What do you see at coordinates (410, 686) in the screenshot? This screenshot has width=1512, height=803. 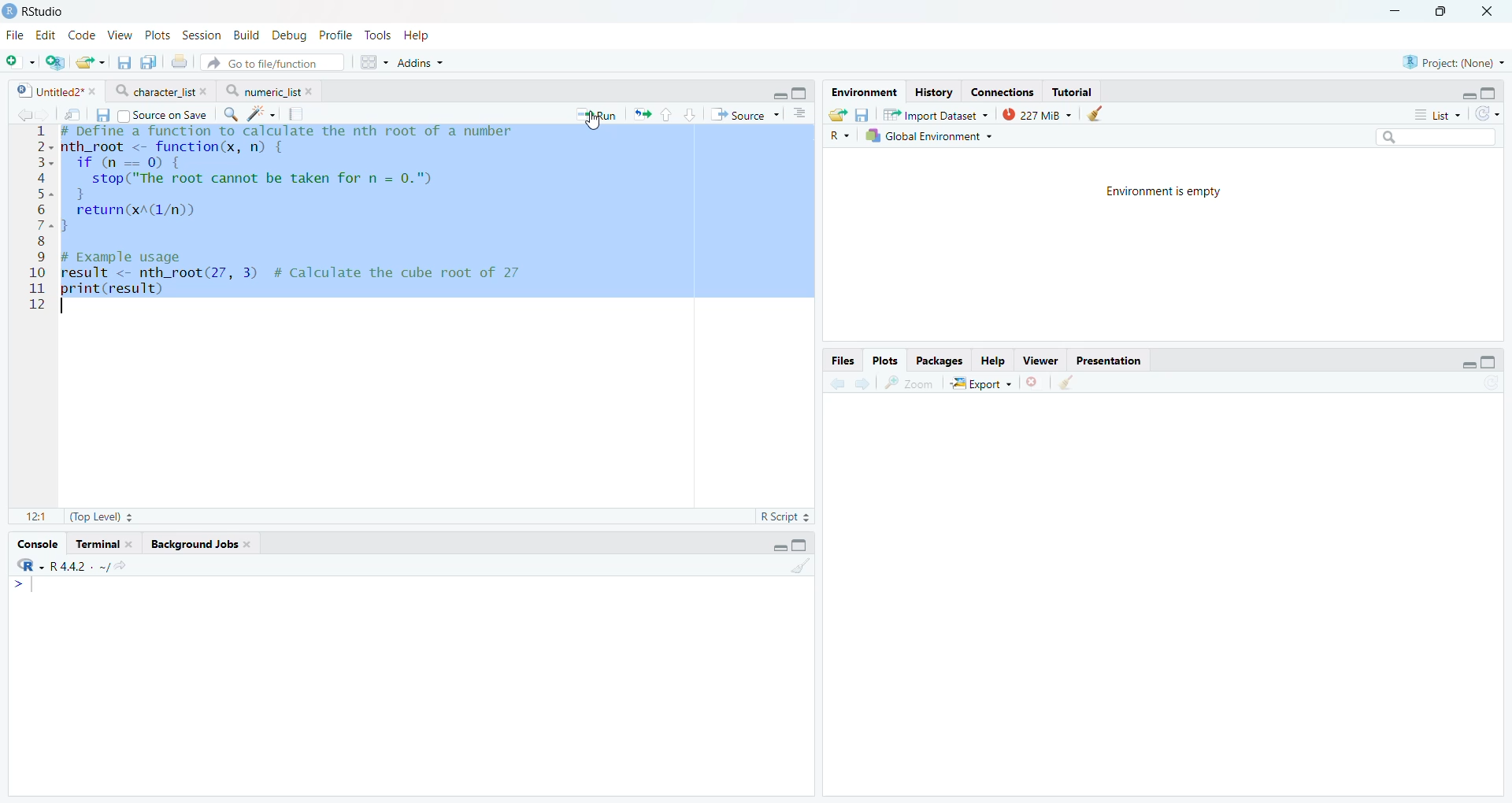 I see `Console` at bounding box center [410, 686].